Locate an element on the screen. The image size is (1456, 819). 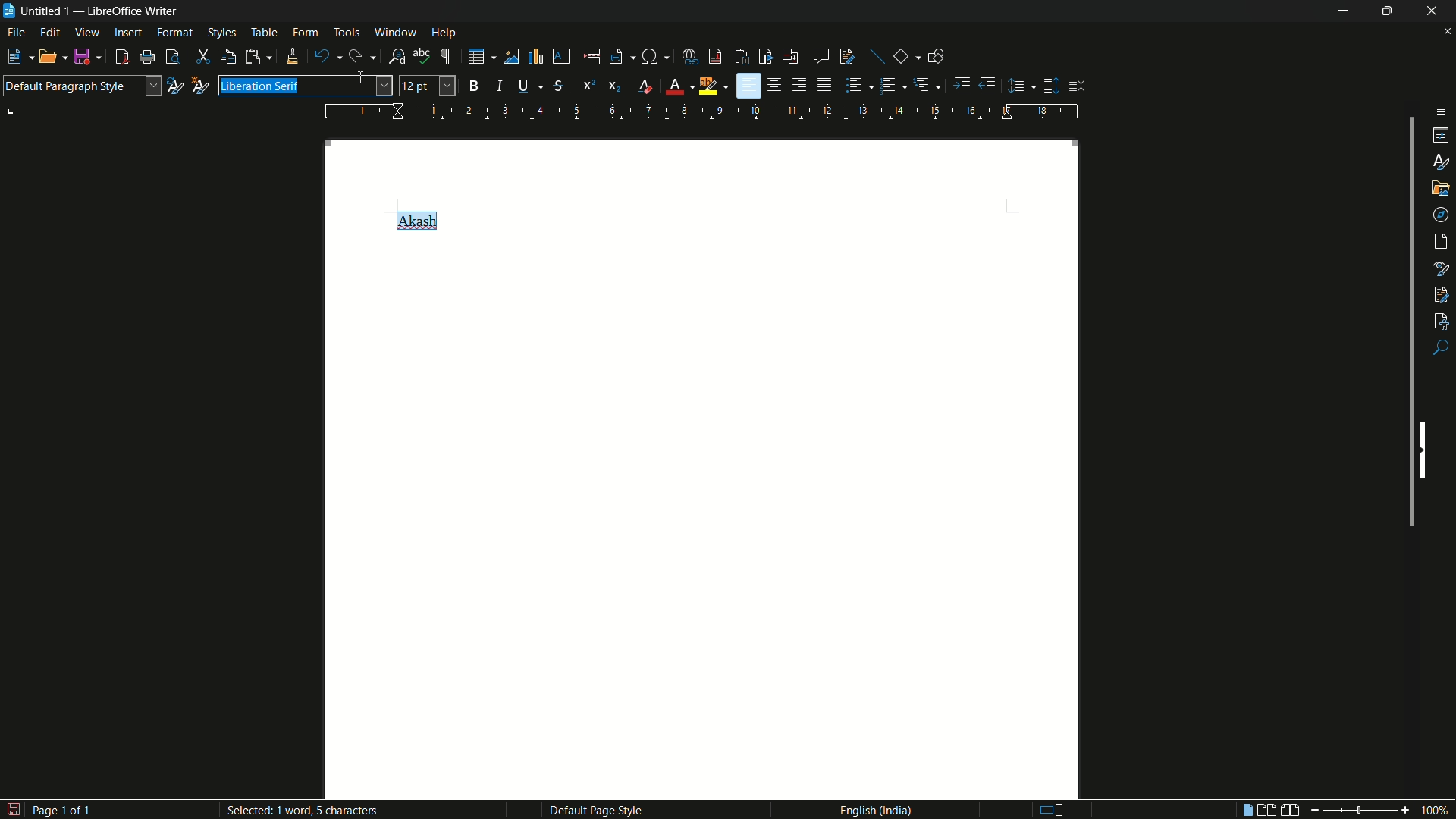
insert footnote is located at coordinates (716, 56).